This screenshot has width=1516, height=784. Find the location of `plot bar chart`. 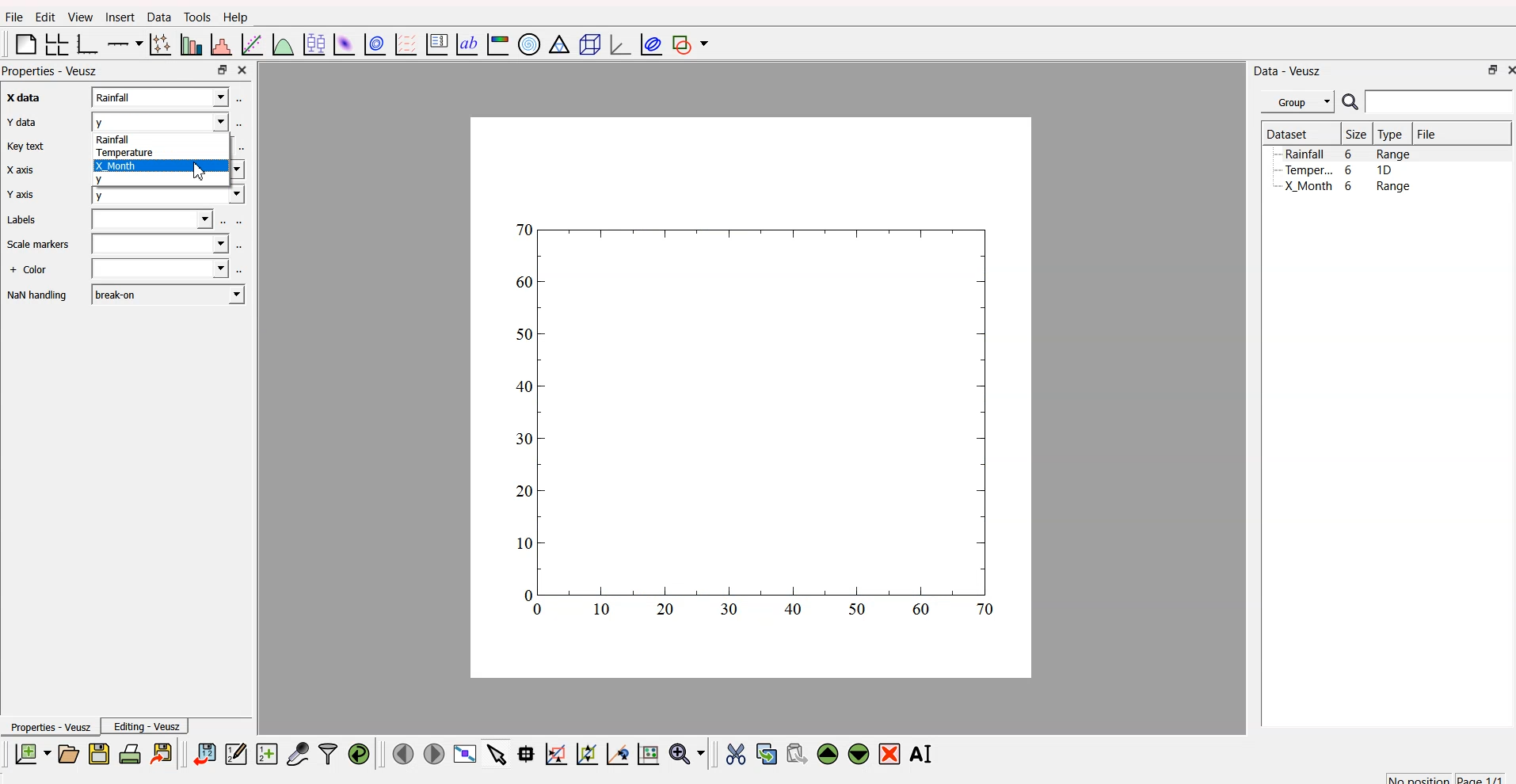

plot bar chart is located at coordinates (189, 44).